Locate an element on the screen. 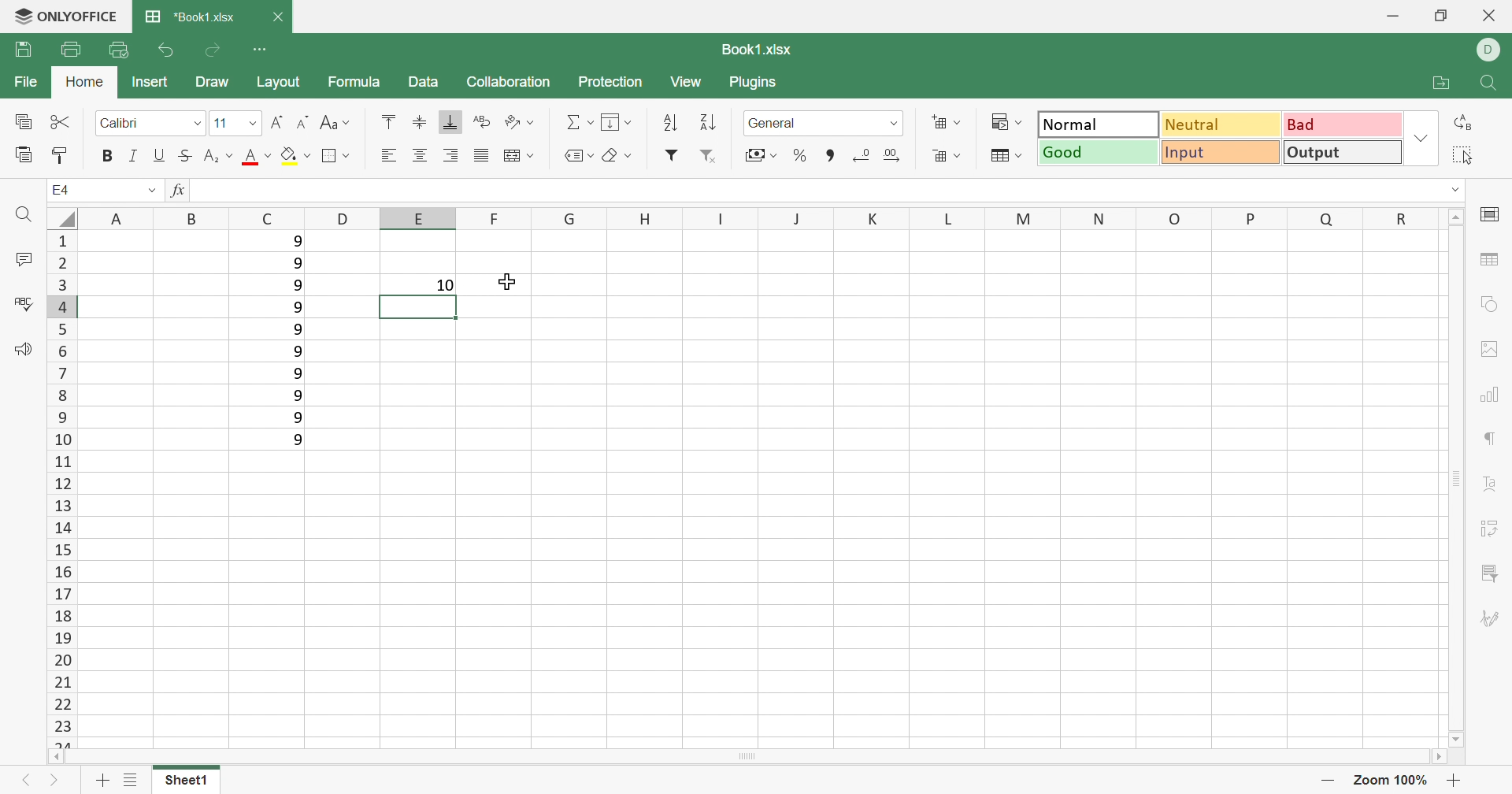 This screenshot has width=1512, height=794. Drop Down is located at coordinates (152, 188).